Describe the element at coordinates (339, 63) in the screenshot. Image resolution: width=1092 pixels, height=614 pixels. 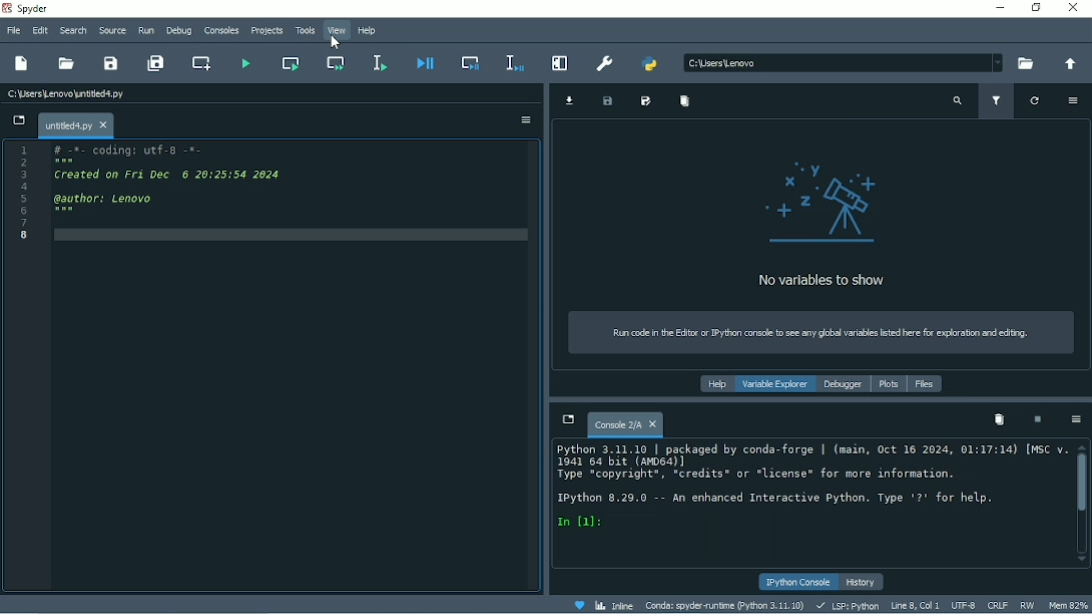
I see `Run current cell and go to the next one` at that location.